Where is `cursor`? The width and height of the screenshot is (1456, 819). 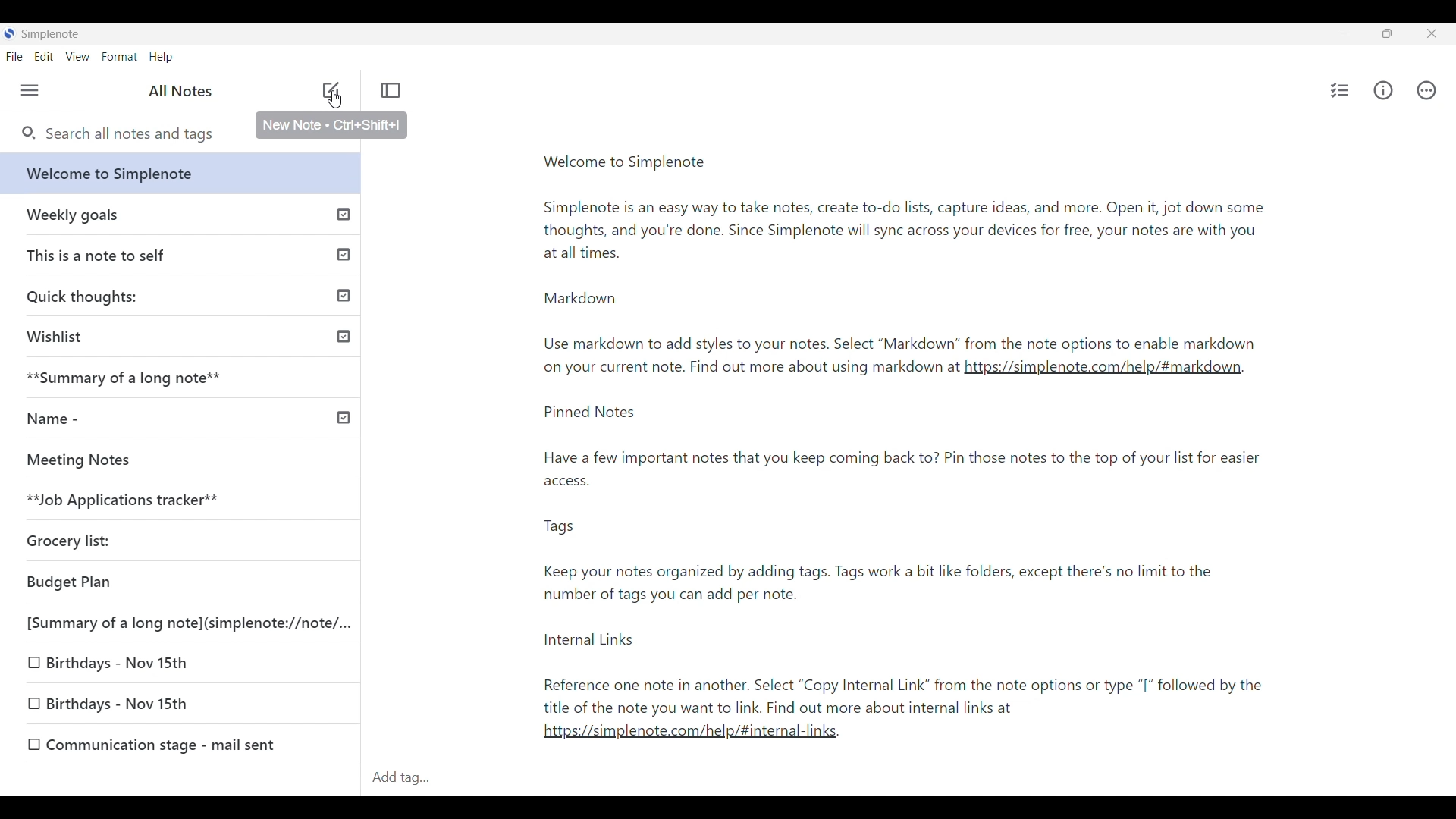
cursor is located at coordinates (332, 99).